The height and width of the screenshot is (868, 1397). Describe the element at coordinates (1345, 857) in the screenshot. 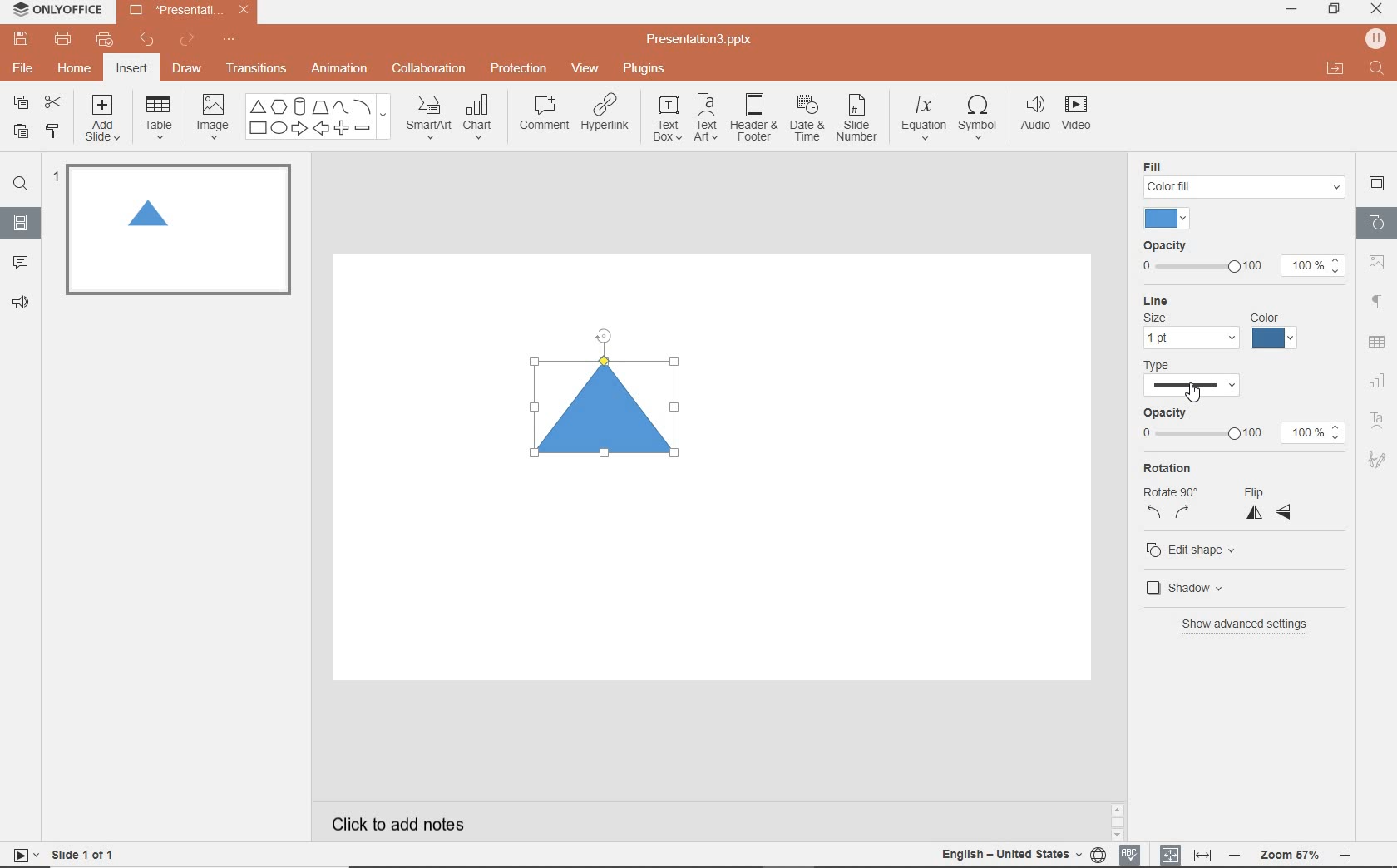

I see `zoom in` at that location.